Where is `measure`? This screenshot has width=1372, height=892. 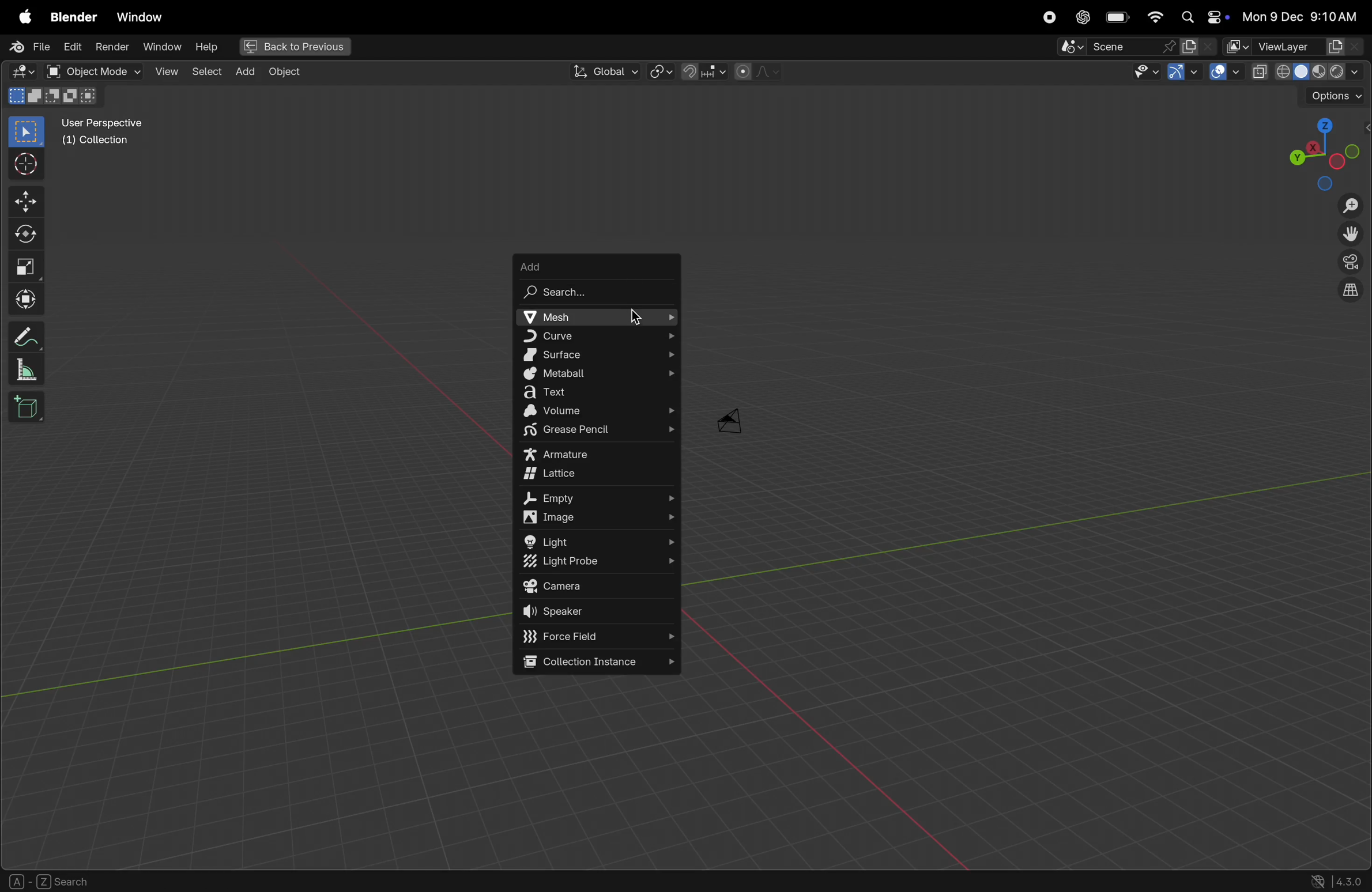 measure is located at coordinates (26, 371).